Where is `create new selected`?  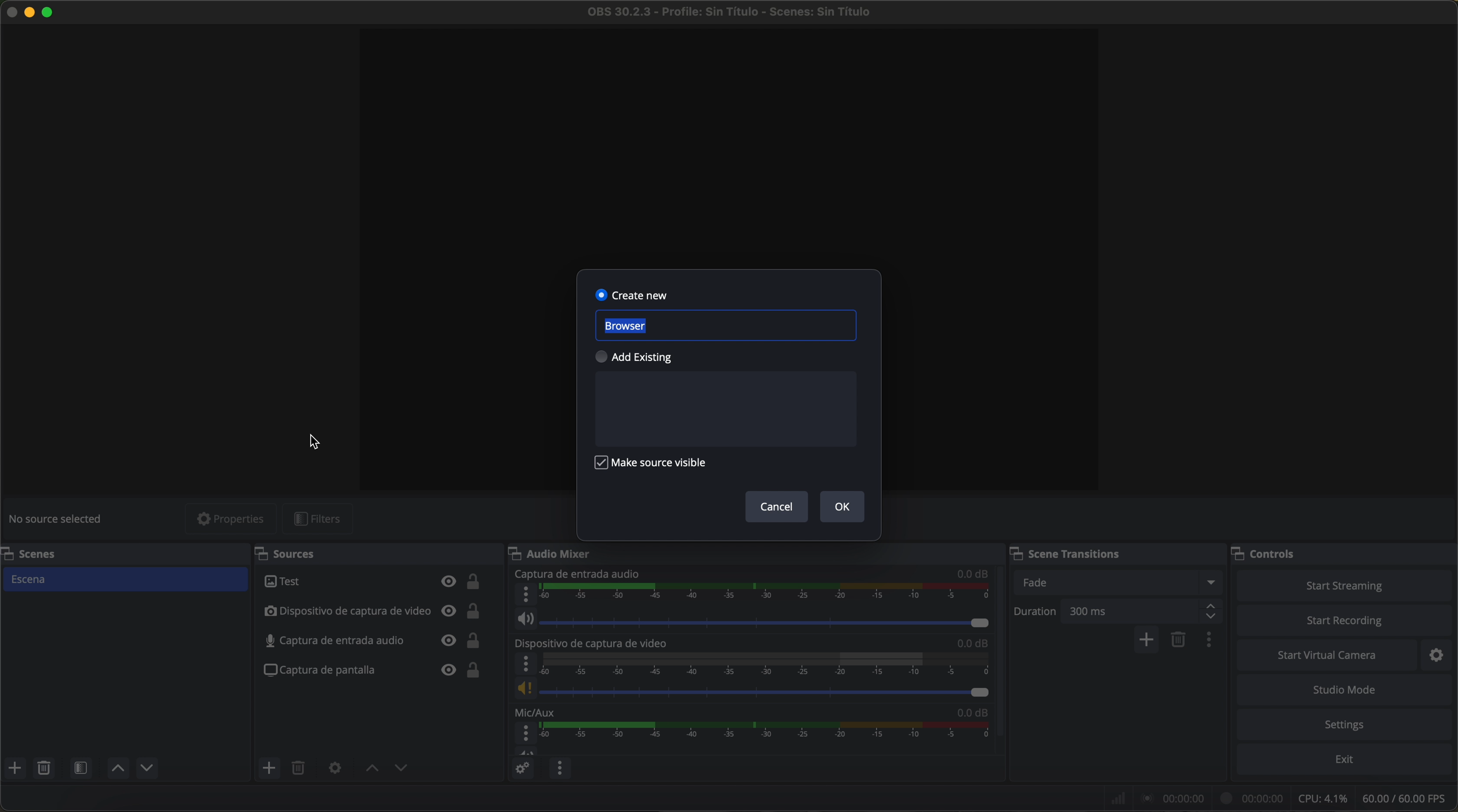
create new selected is located at coordinates (633, 294).